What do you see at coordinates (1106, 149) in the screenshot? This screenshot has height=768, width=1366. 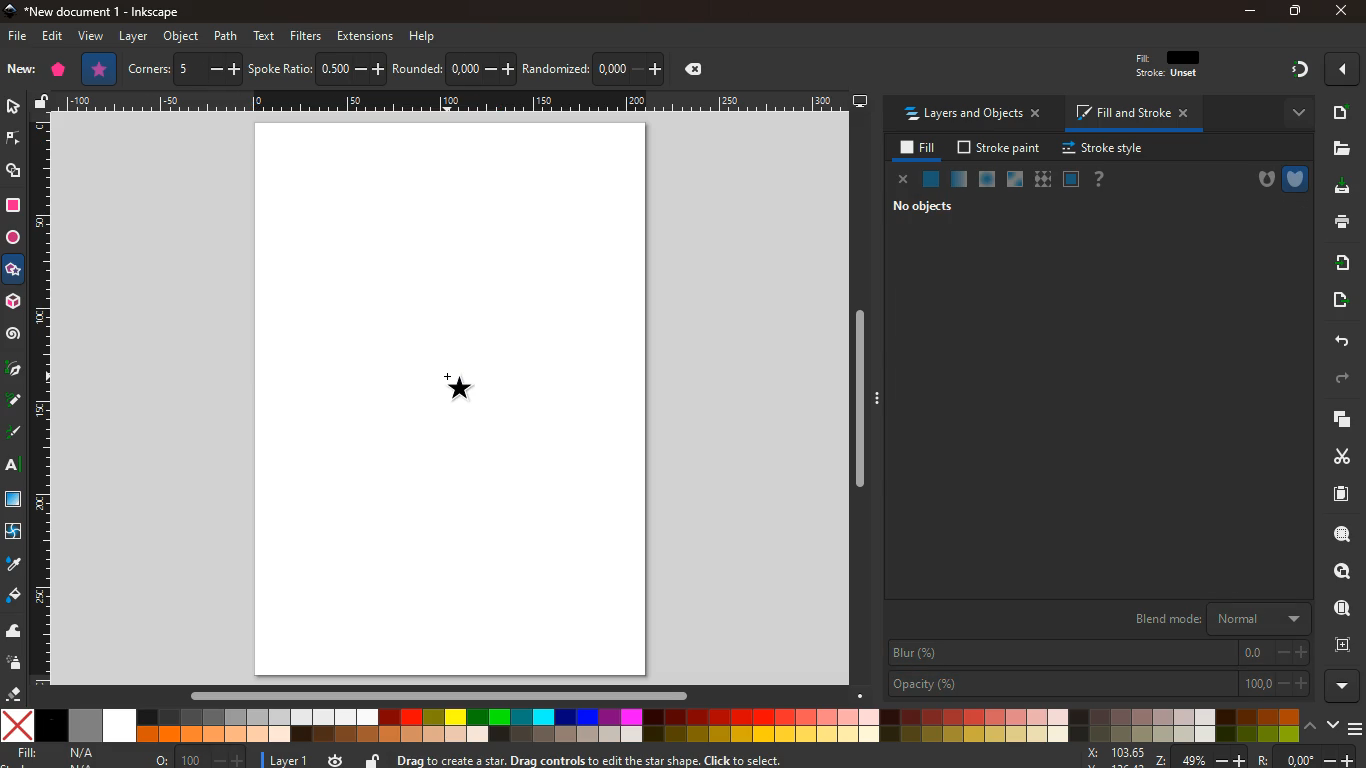 I see `stroke style` at bounding box center [1106, 149].